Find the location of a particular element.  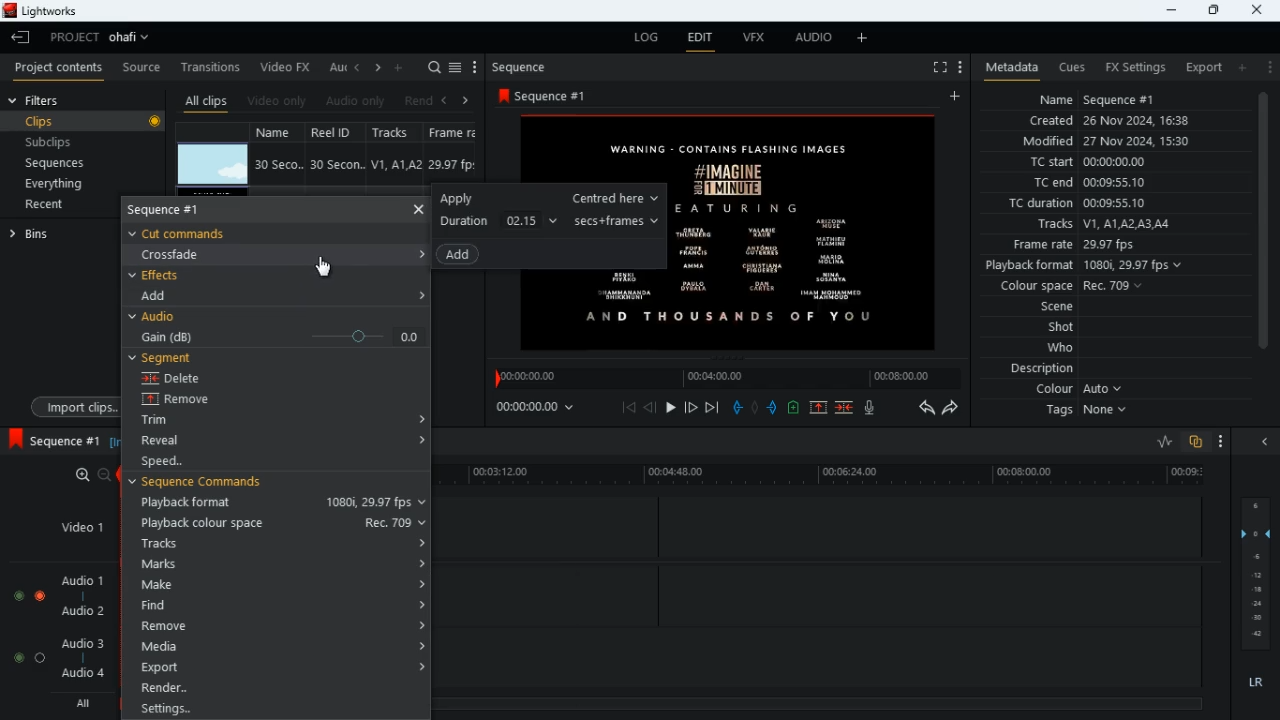

effects is located at coordinates (158, 275).